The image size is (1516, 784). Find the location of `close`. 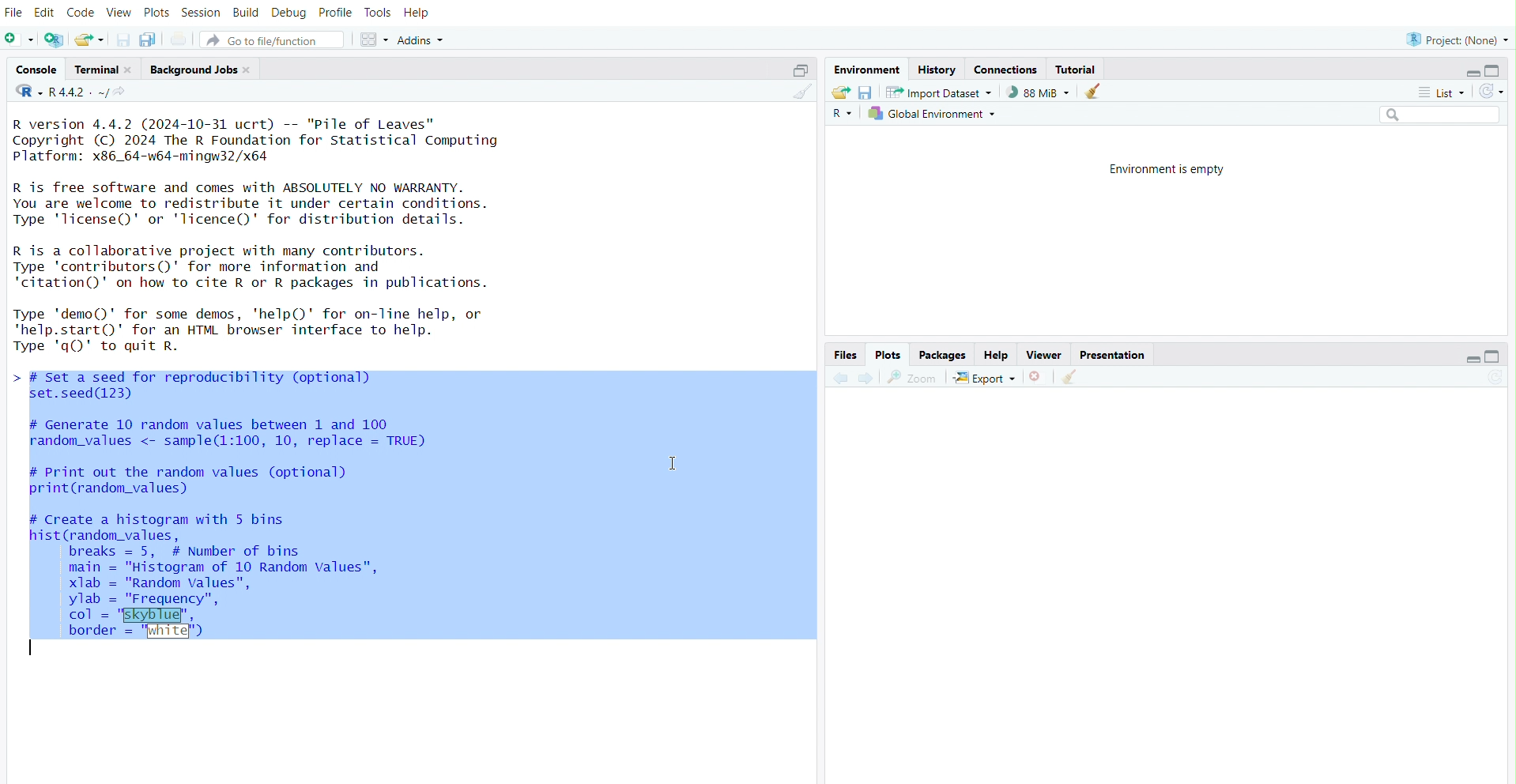

close is located at coordinates (132, 68).